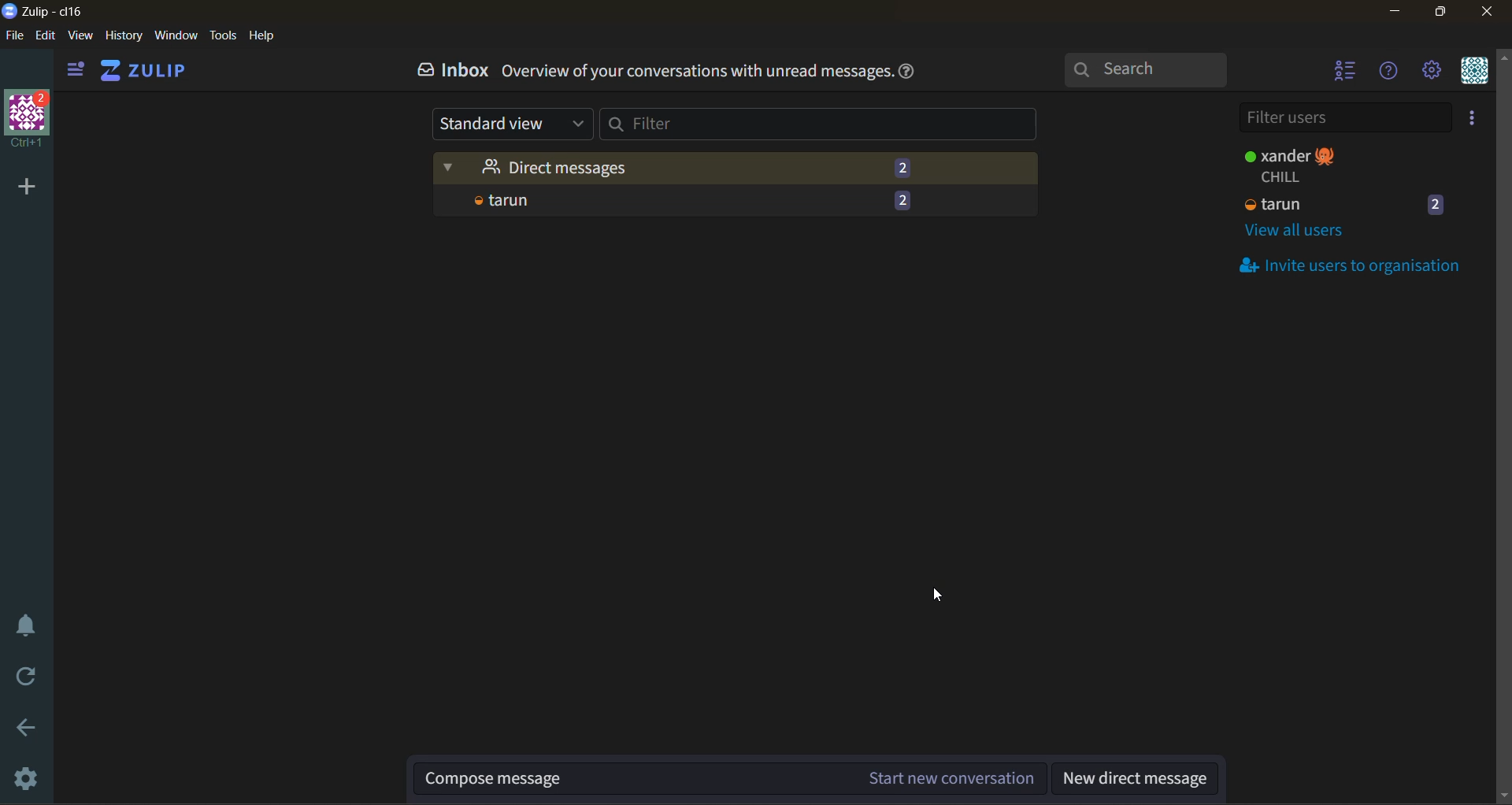 This screenshot has height=805, width=1512. Describe the element at coordinates (830, 128) in the screenshot. I see `filter` at that location.